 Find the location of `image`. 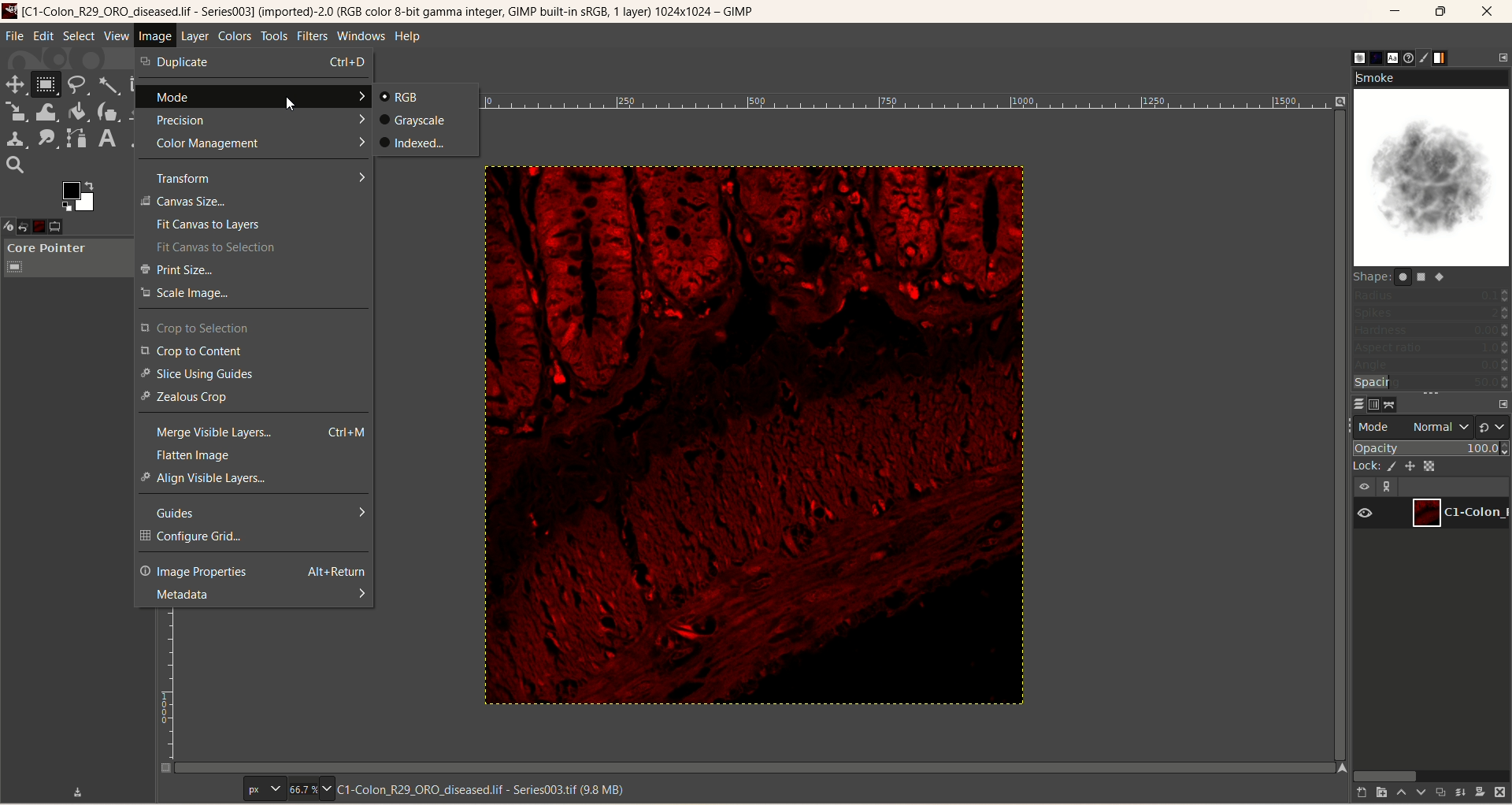

image is located at coordinates (41, 225).